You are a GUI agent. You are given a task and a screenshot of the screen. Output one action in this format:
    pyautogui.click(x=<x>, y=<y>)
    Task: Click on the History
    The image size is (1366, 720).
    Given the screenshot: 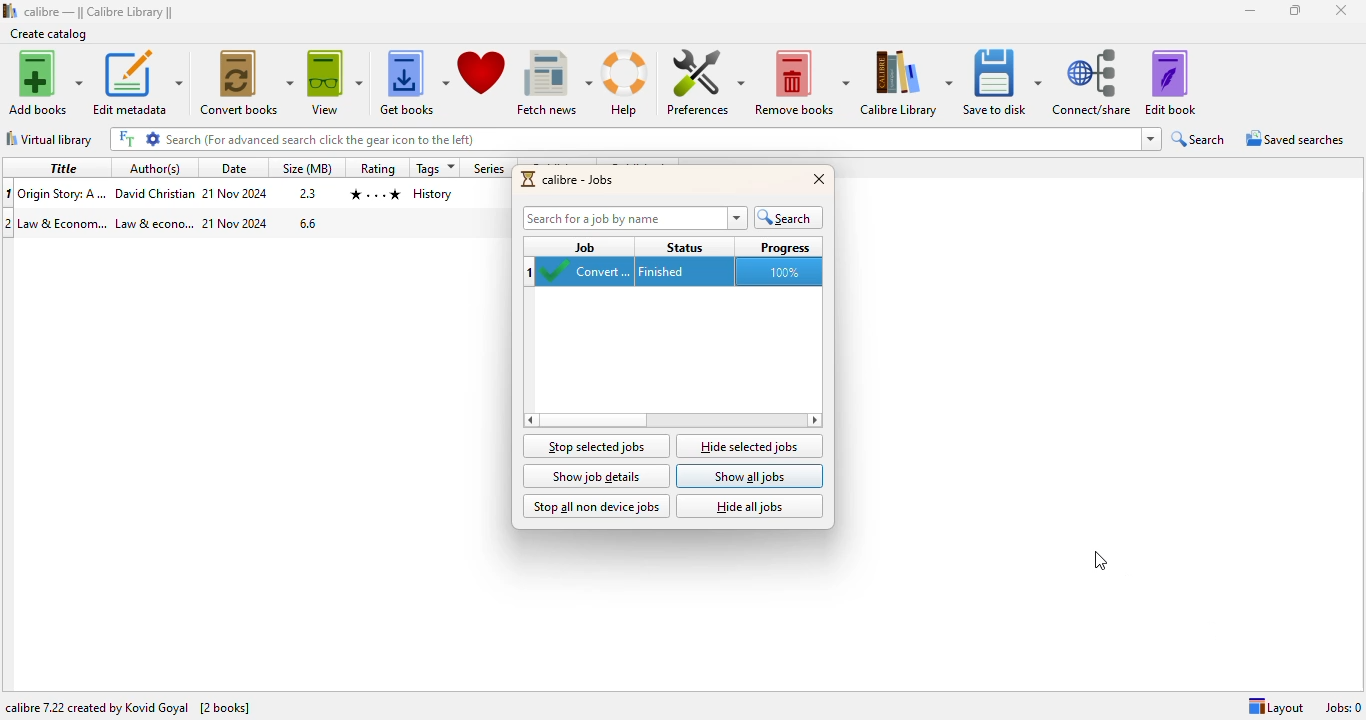 What is the action you would take?
    pyautogui.click(x=432, y=195)
    